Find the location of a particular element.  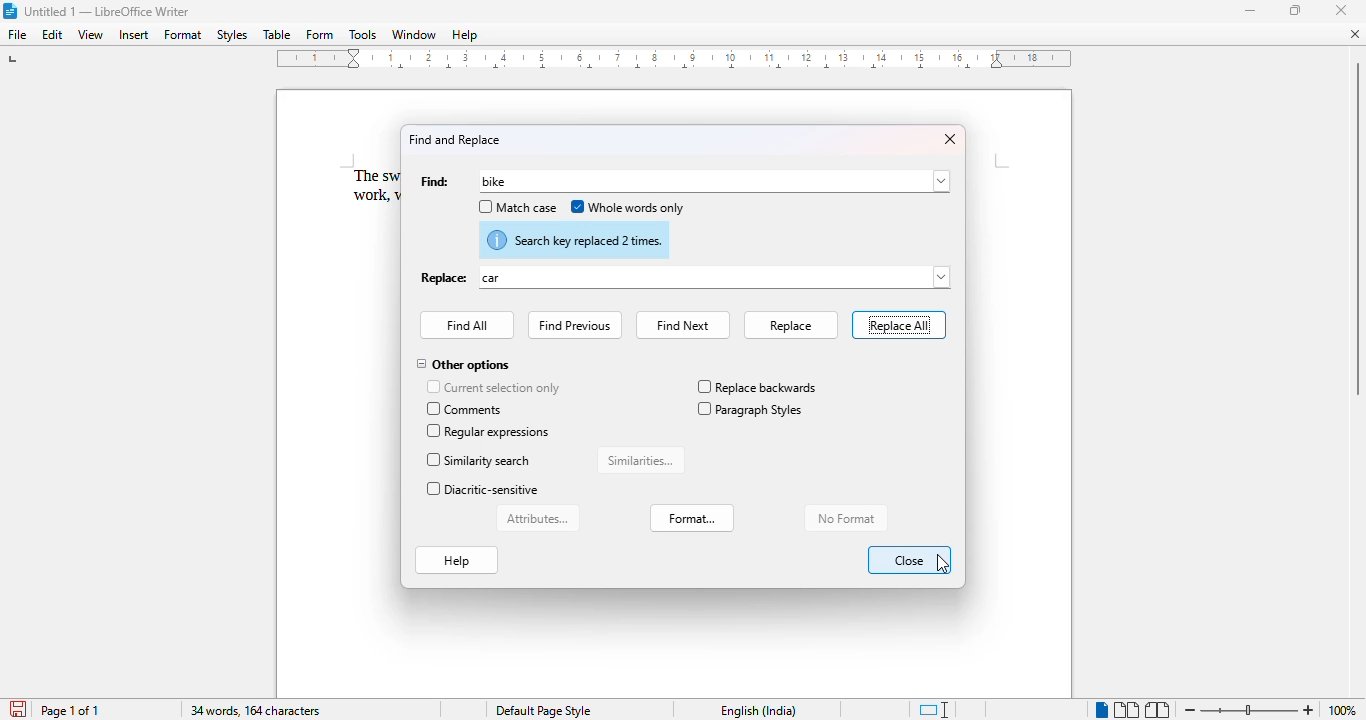

minimize is located at coordinates (1251, 10).